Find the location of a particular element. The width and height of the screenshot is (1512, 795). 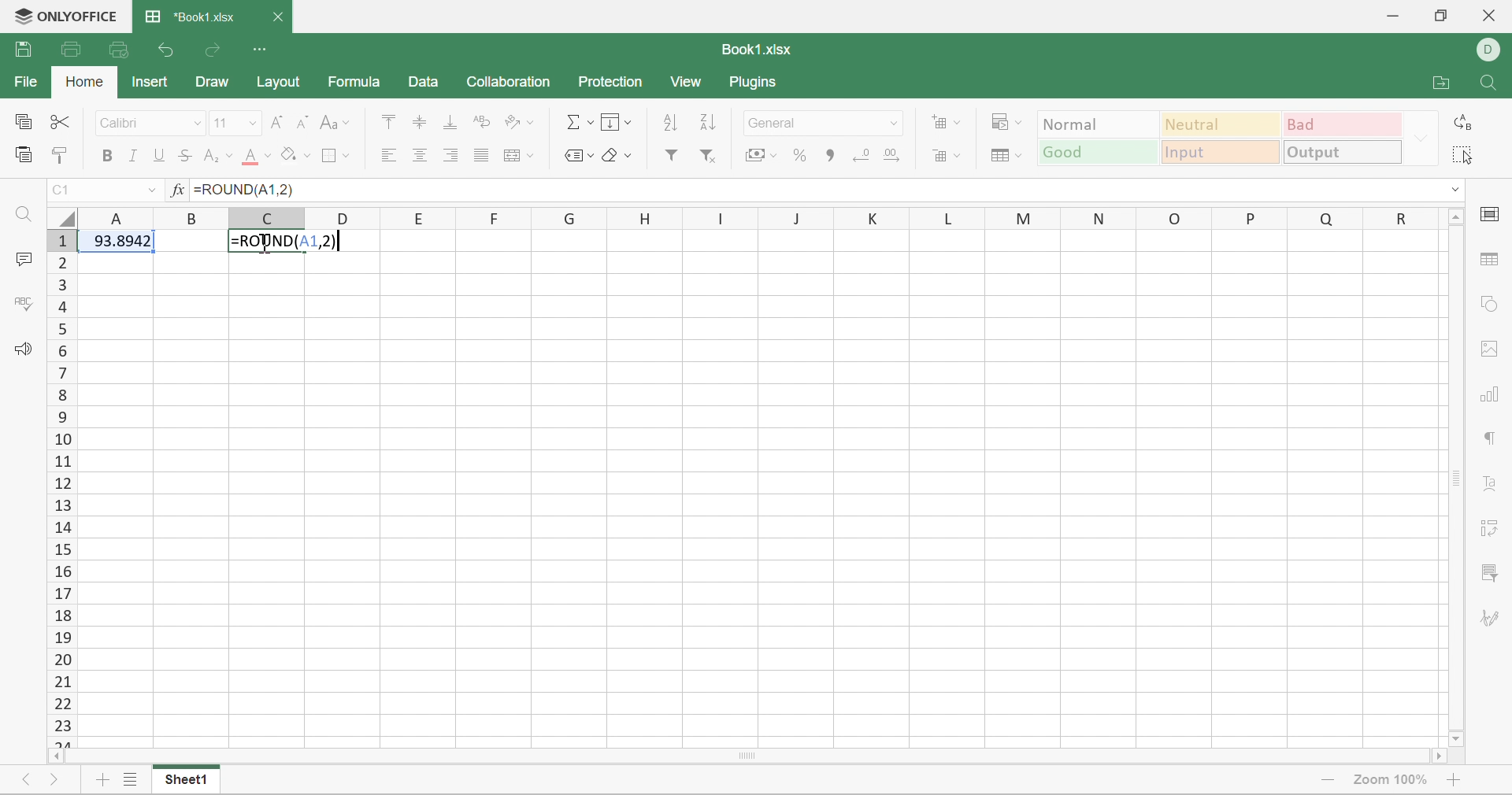

Feedback & Support is located at coordinates (27, 350).